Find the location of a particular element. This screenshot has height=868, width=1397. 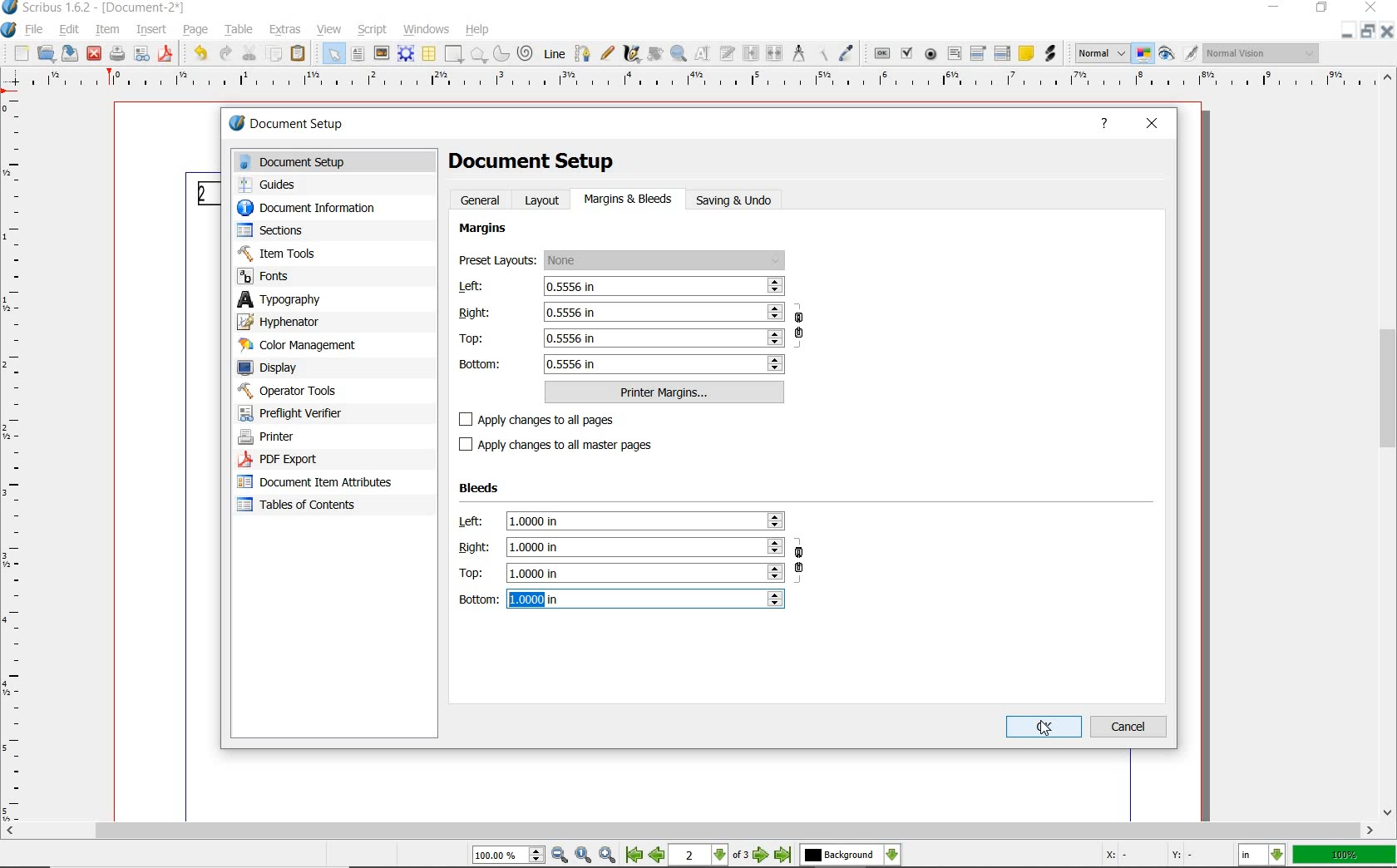

Previous Page is located at coordinates (659, 857).